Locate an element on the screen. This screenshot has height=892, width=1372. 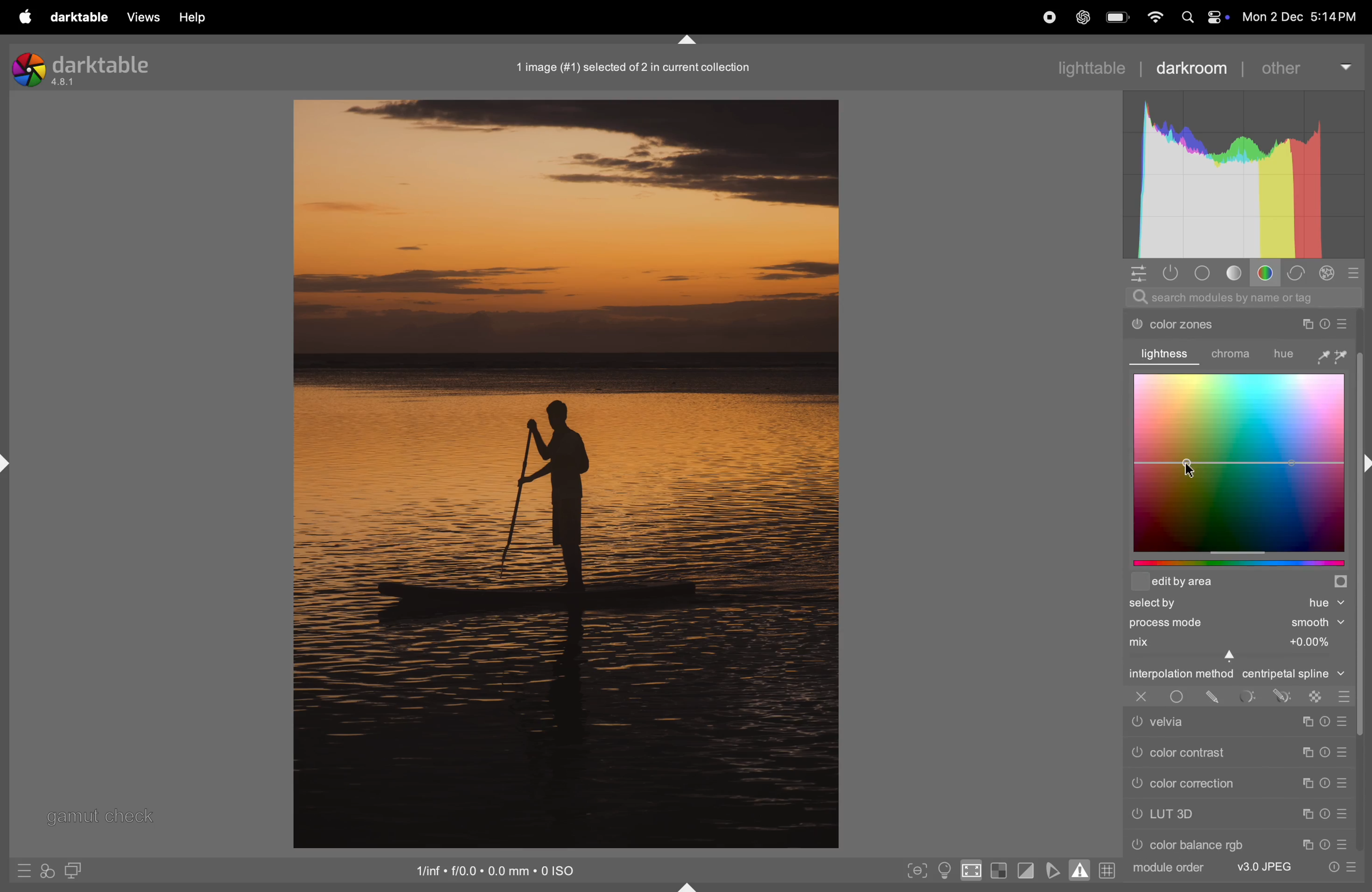
toggle gaamut checking is located at coordinates (1078, 869).